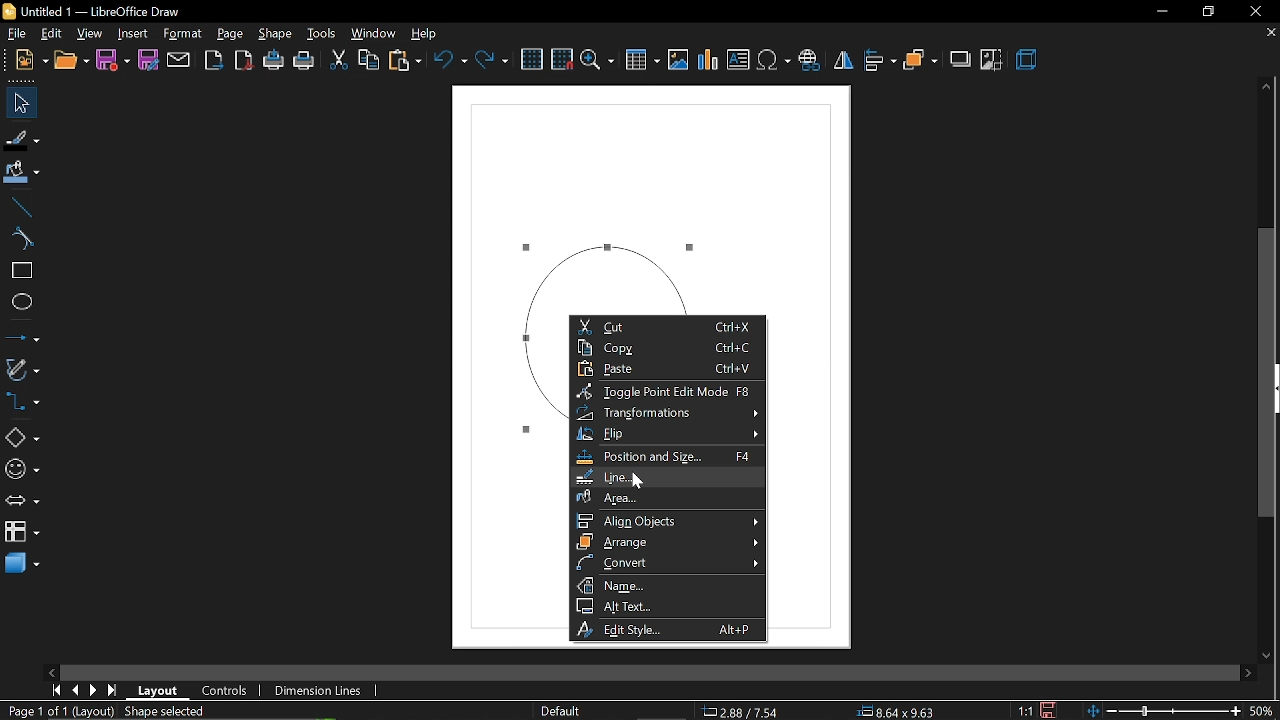  What do you see at coordinates (15, 34) in the screenshot?
I see `file` at bounding box center [15, 34].